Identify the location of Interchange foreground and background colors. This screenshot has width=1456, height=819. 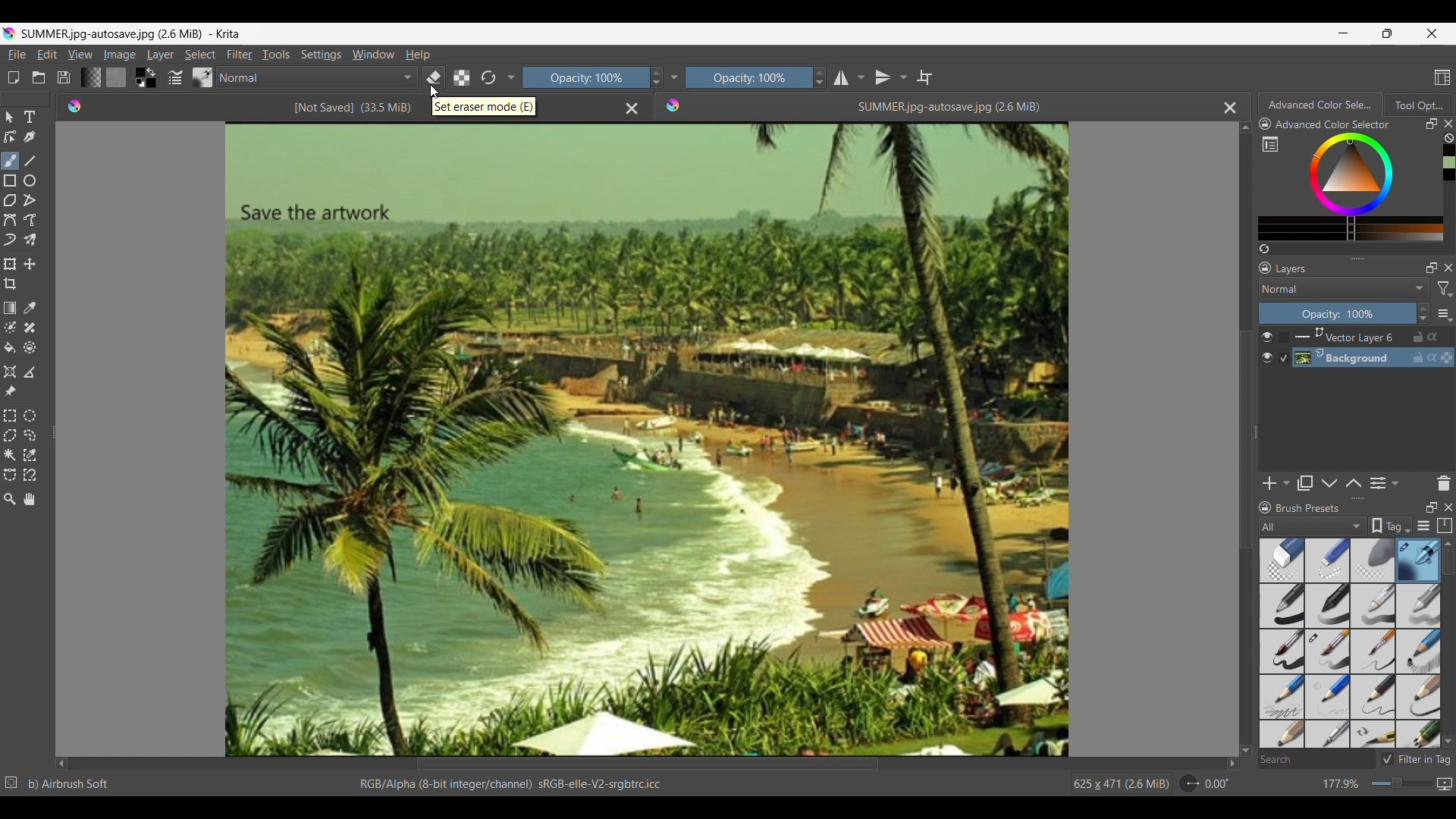
(153, 72).